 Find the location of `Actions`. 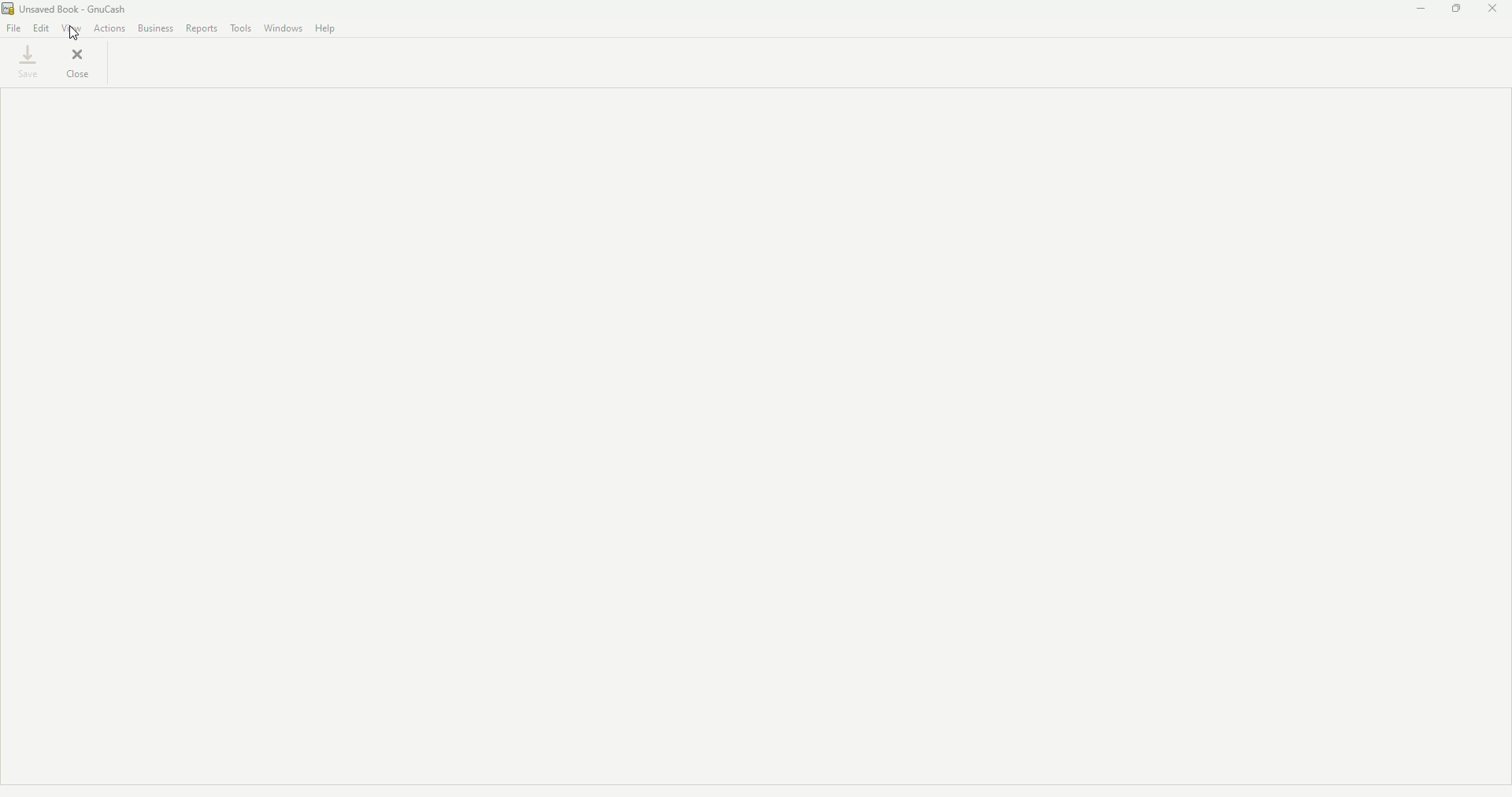

Actions is located at coordinates (109, 28).